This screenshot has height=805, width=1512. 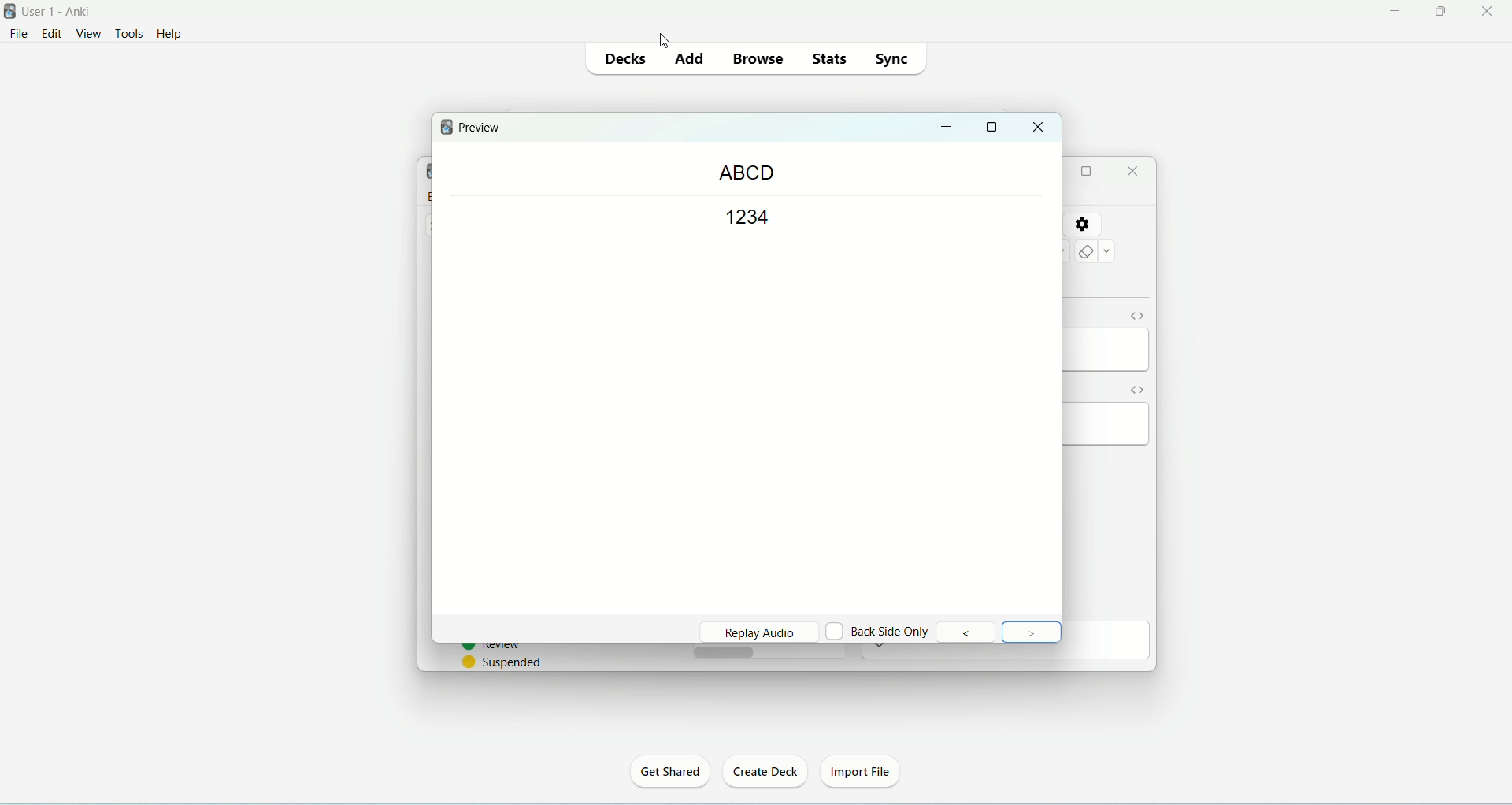 I want to click on close, so click(x=1489, y=10).